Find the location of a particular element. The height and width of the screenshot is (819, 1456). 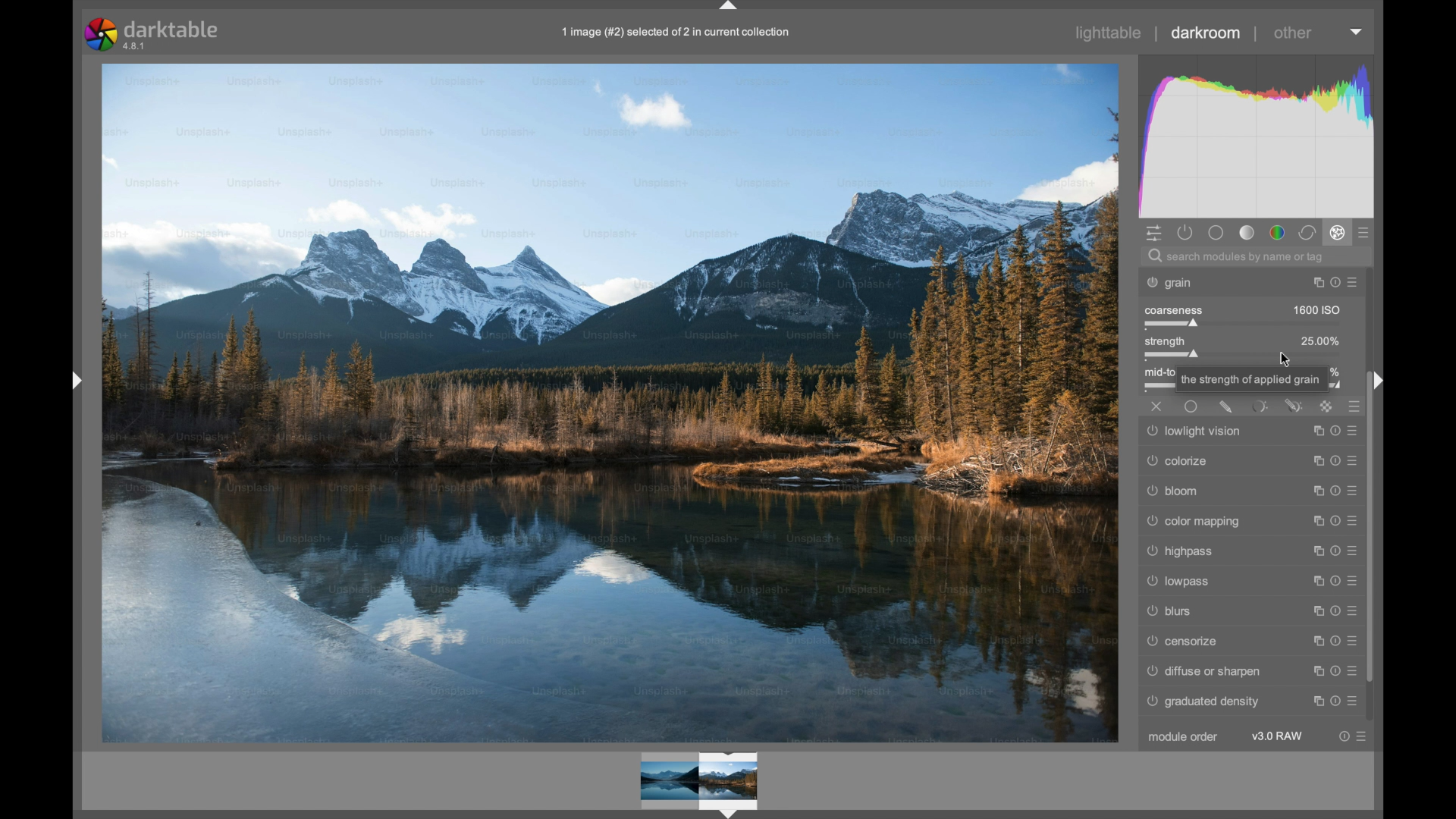

instance is located at coordinates (1314, 281).